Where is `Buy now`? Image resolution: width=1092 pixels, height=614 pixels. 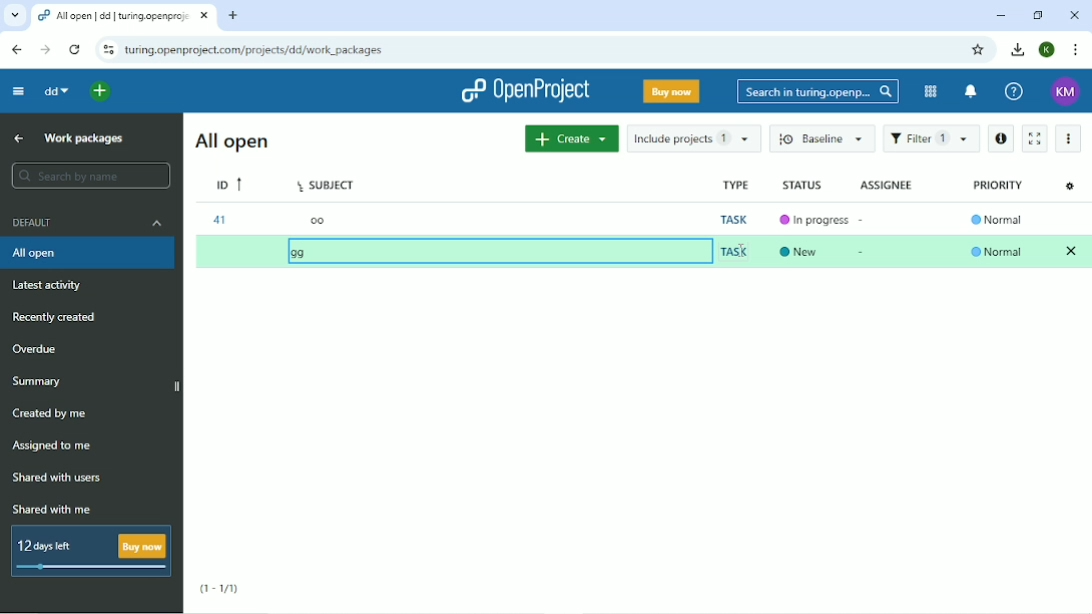
Buy now is located at coordinates (670, 93).